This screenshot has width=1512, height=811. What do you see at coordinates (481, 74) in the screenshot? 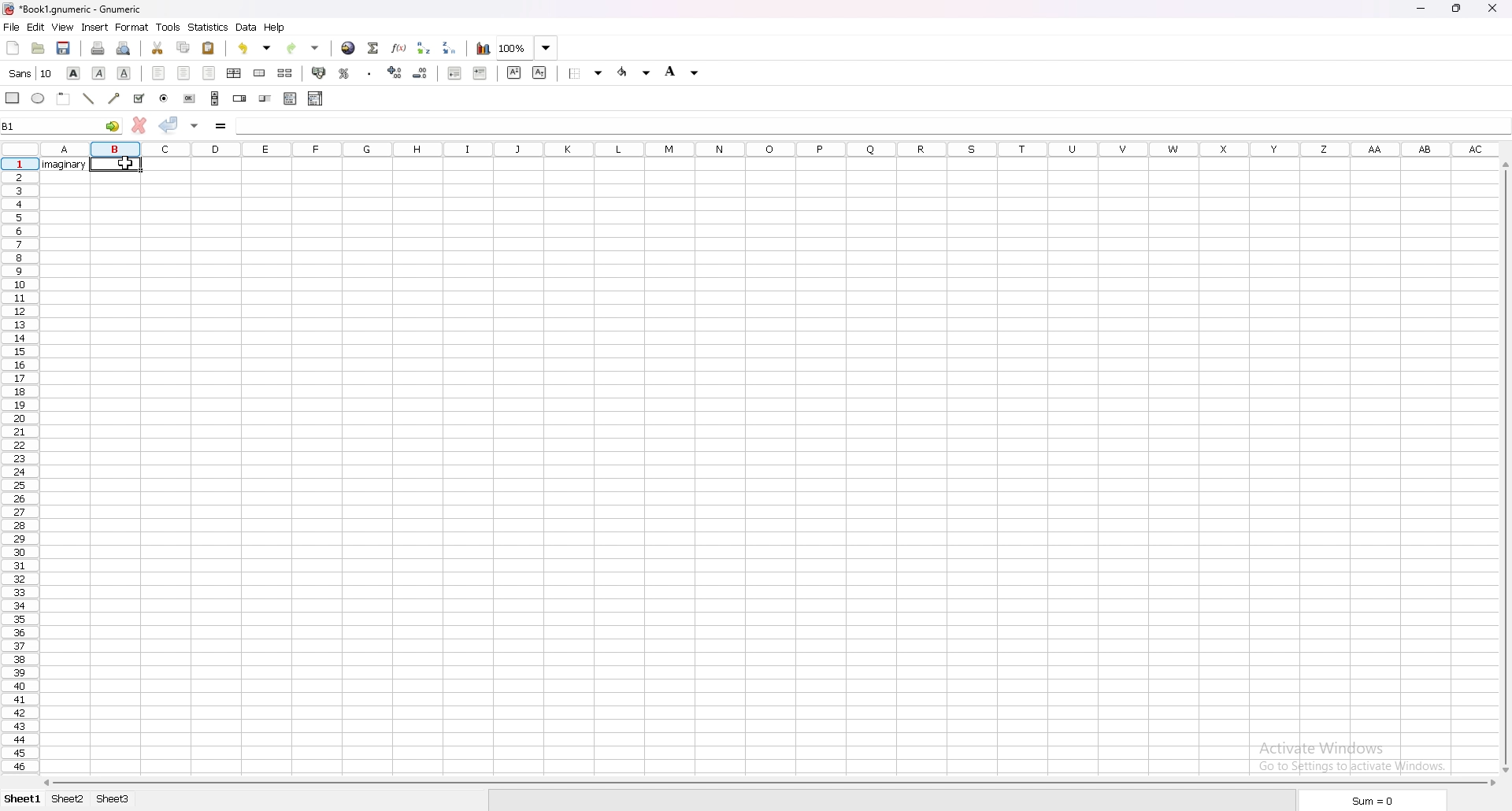
I see `increase indent` at bounding box center [481, 74].